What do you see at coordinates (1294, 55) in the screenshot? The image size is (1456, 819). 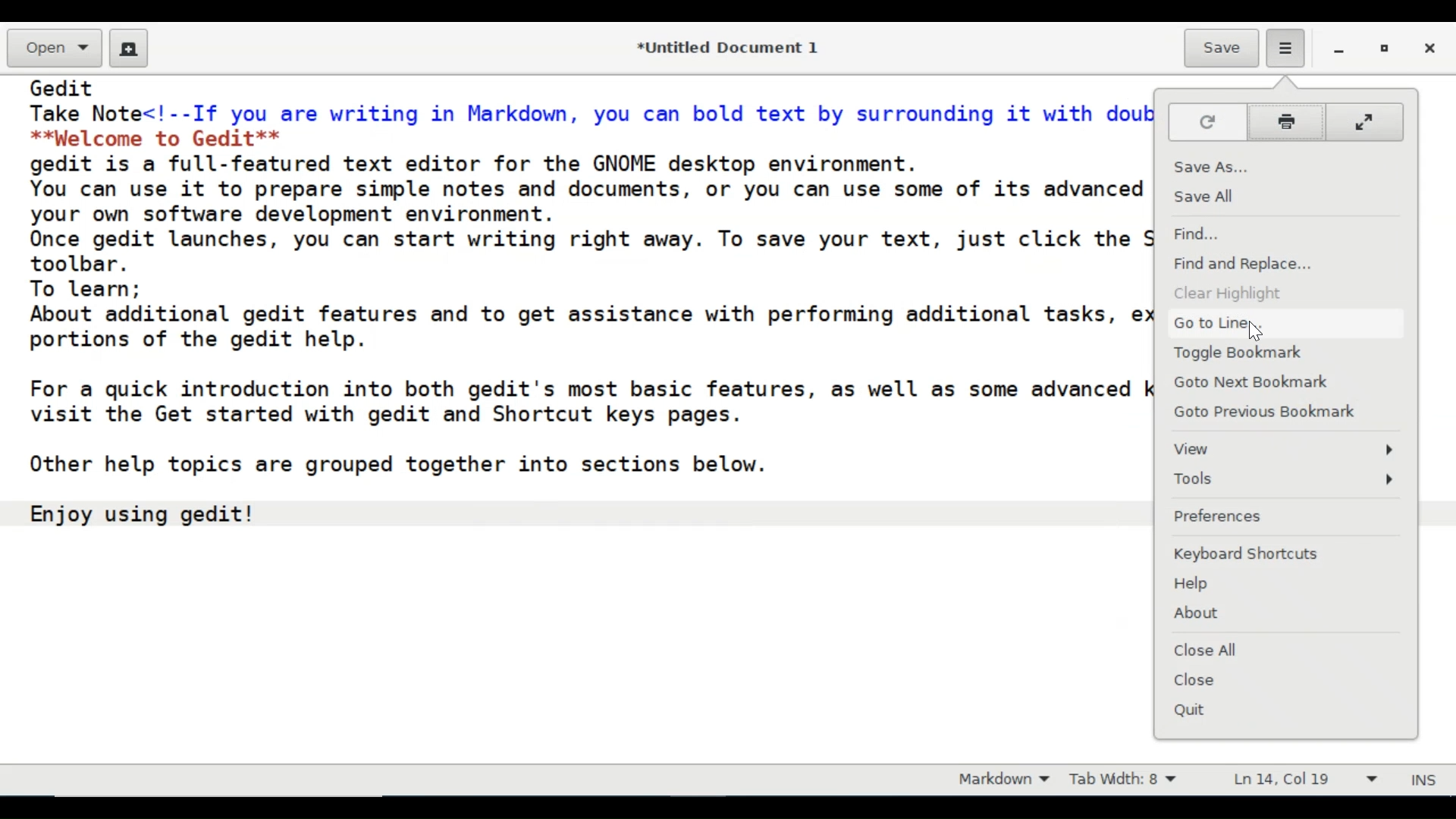 I see `Cursor` at bounding box center [1294, 55].